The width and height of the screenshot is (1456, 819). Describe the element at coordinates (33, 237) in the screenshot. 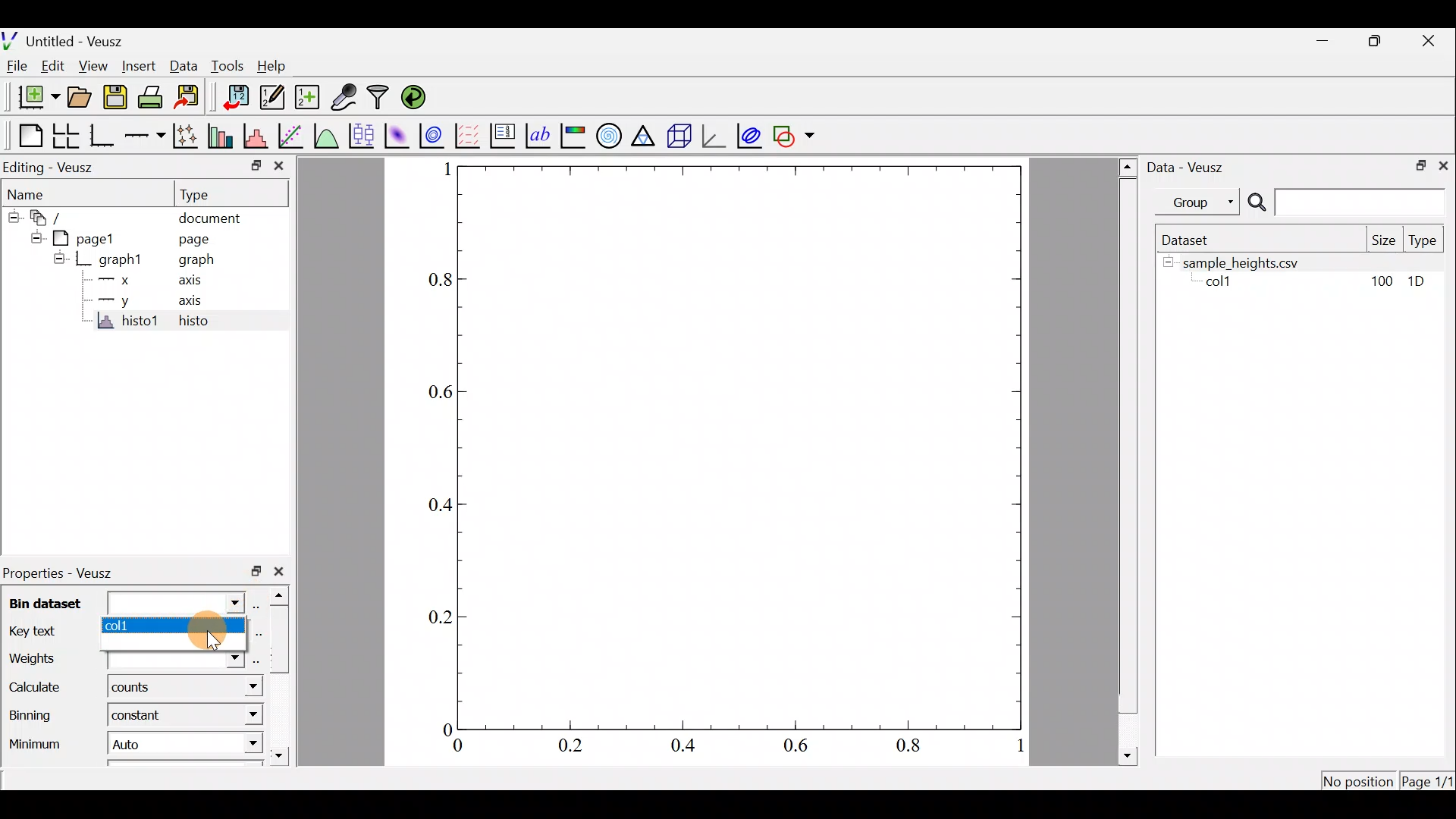

I see `hide` at that location.